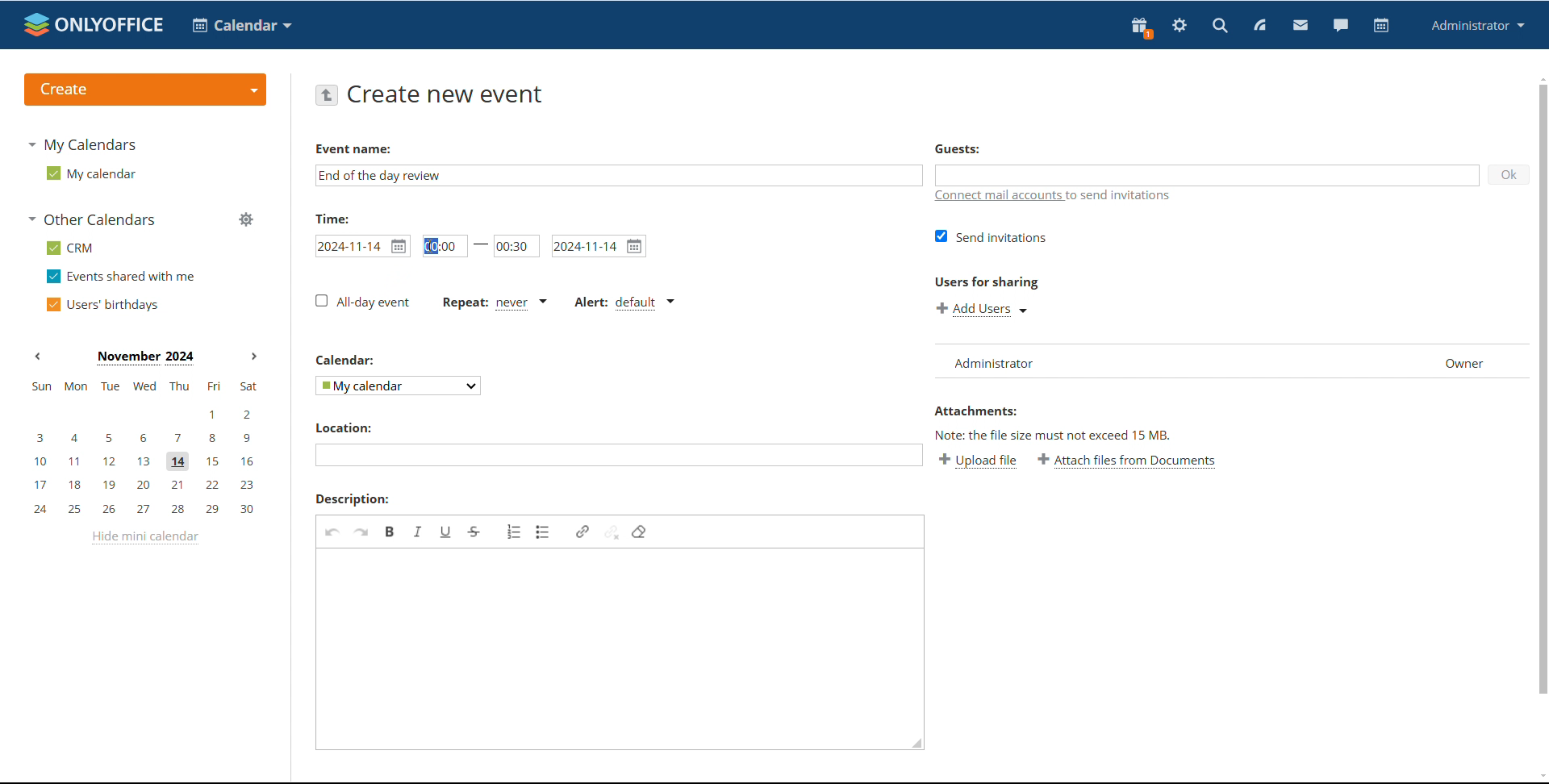 The width and height of the screenshot is (1549, 784). What do you see at coordinates (148, 510) in the screenshot?
I see `24, 25, 26, 27, 28, 29, 30 ` at bounding box center [148, 510].